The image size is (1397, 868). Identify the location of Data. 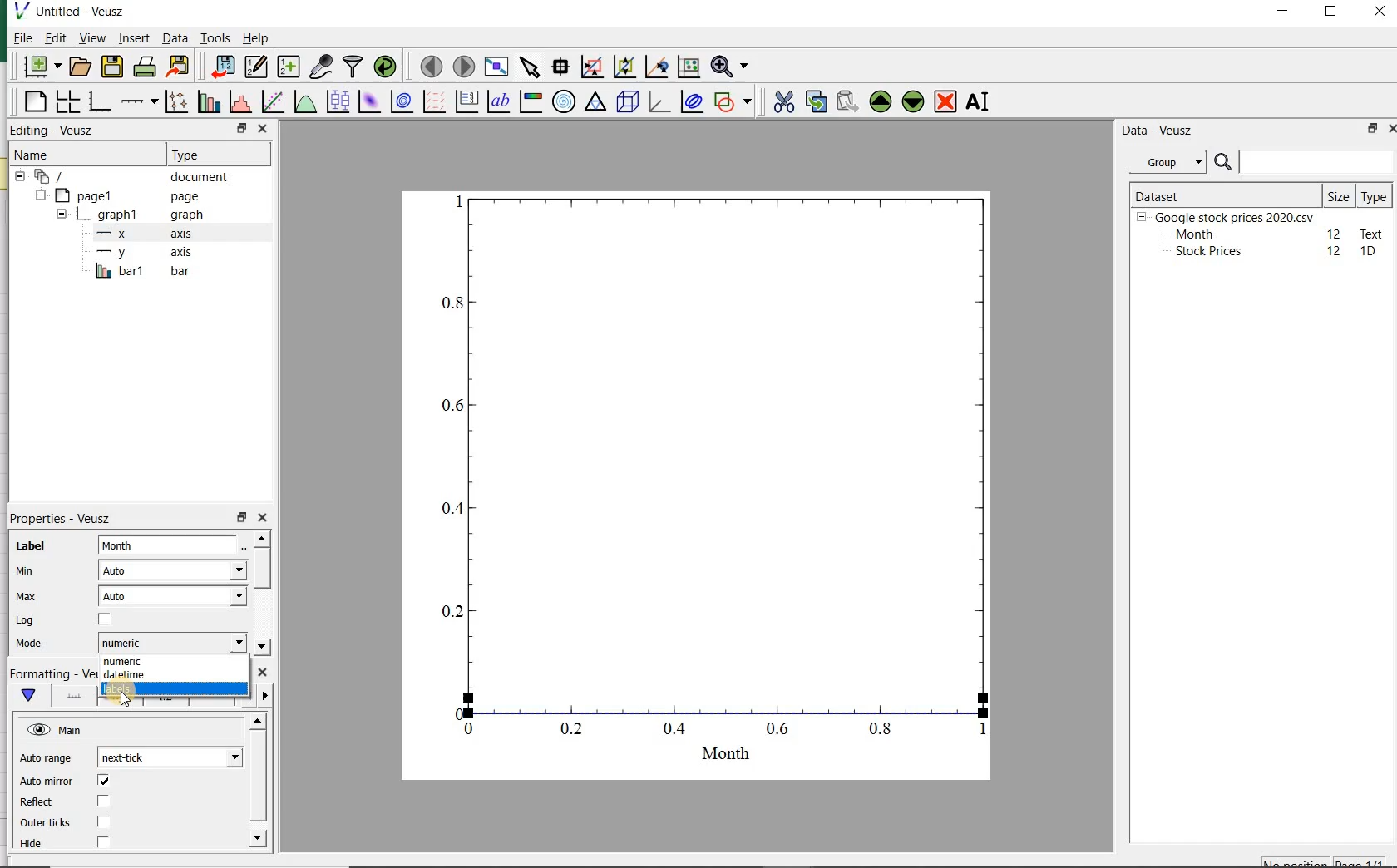
(175, 40).